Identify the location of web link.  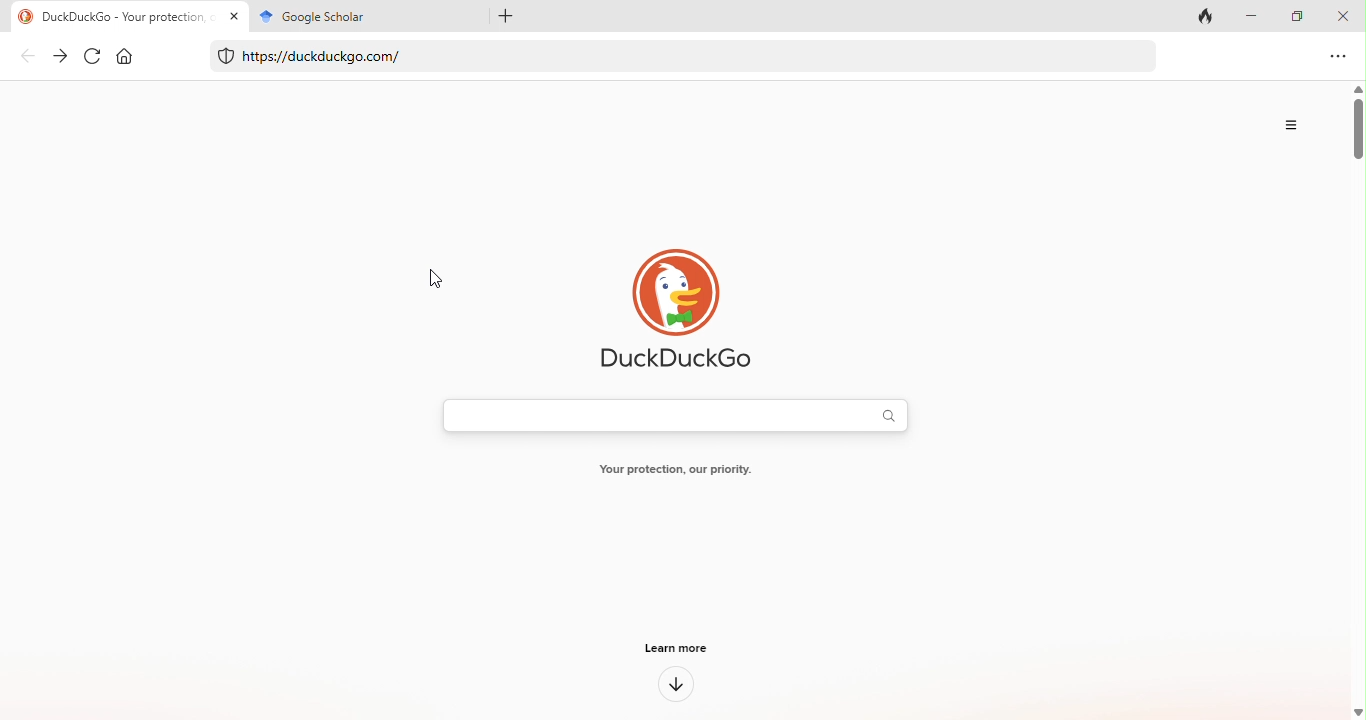
(681, 55).